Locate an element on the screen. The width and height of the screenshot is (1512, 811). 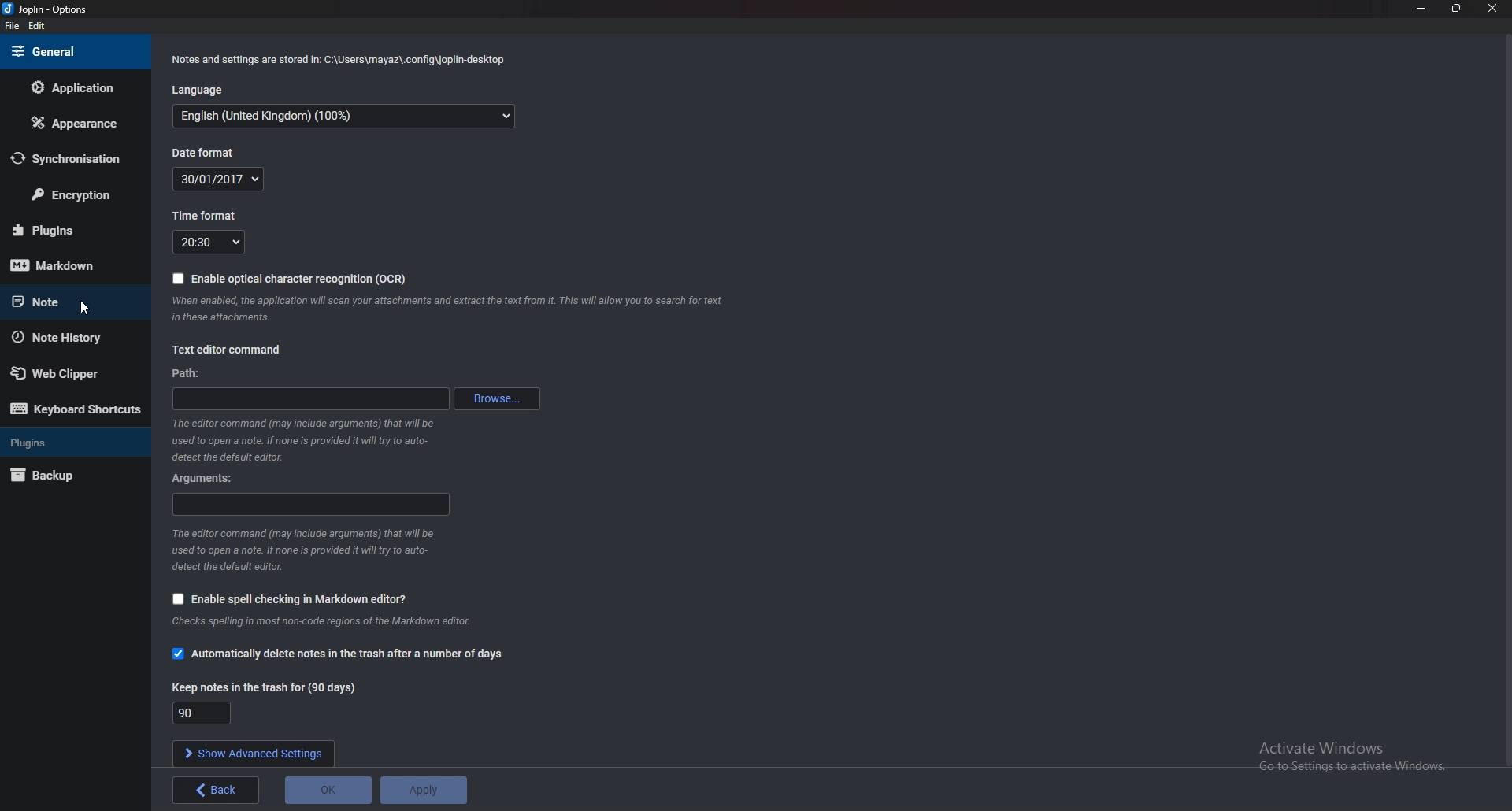
File is located at coordinates (13, 25).